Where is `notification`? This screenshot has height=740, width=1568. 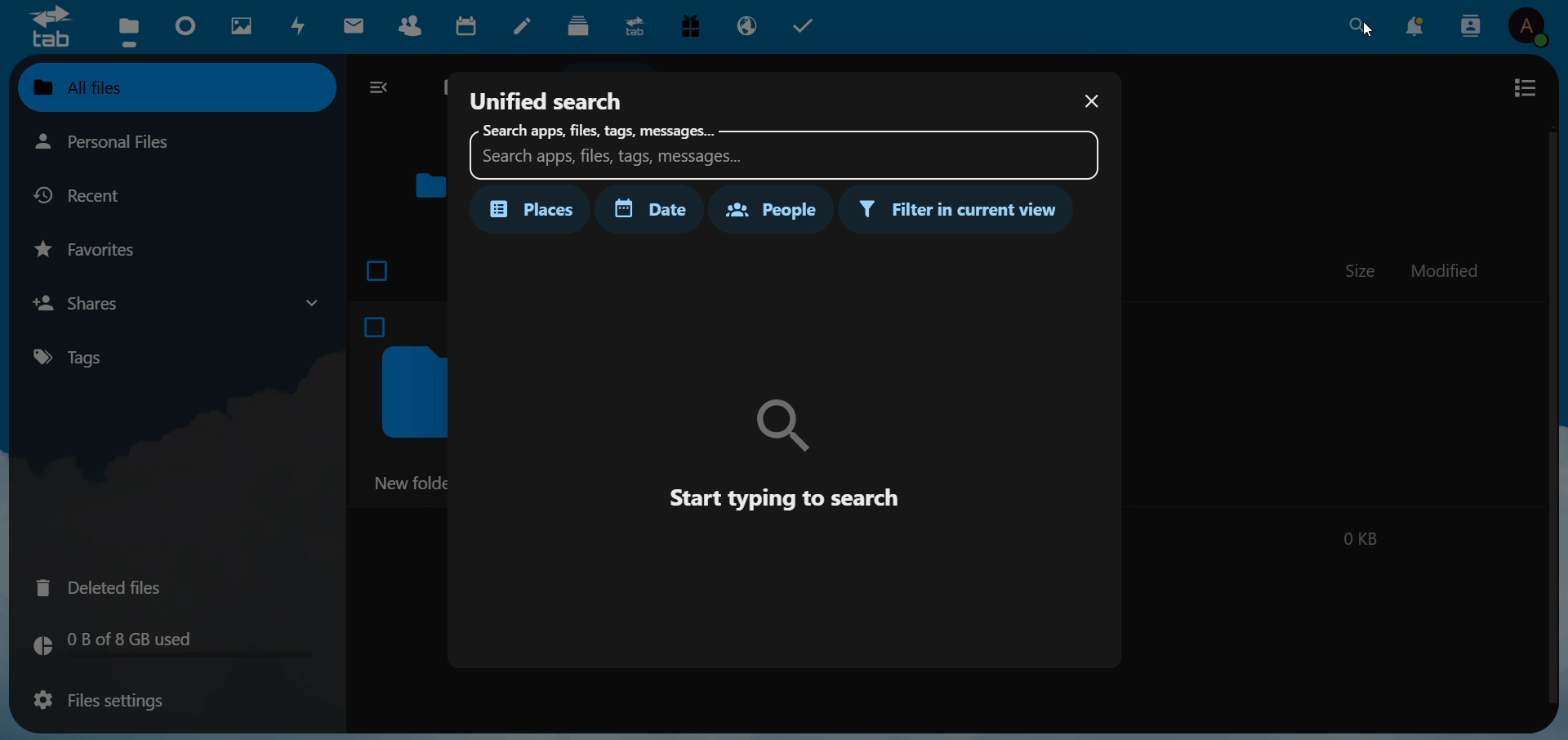 notification is located at coordinates (1418, 25).